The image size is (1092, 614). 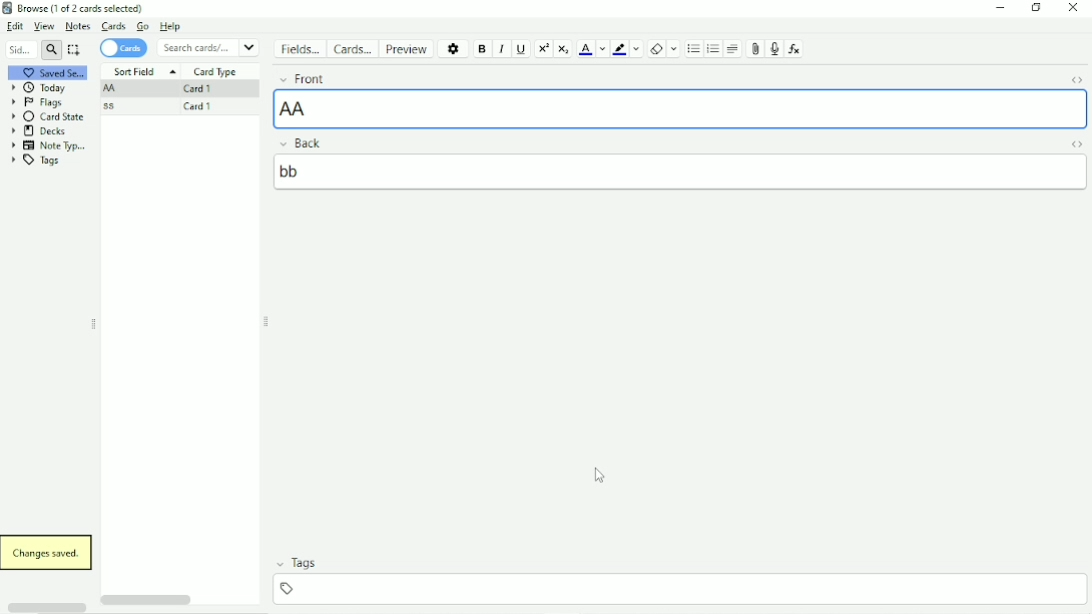 I want to click on Input tags, so click(x=678, y=589).